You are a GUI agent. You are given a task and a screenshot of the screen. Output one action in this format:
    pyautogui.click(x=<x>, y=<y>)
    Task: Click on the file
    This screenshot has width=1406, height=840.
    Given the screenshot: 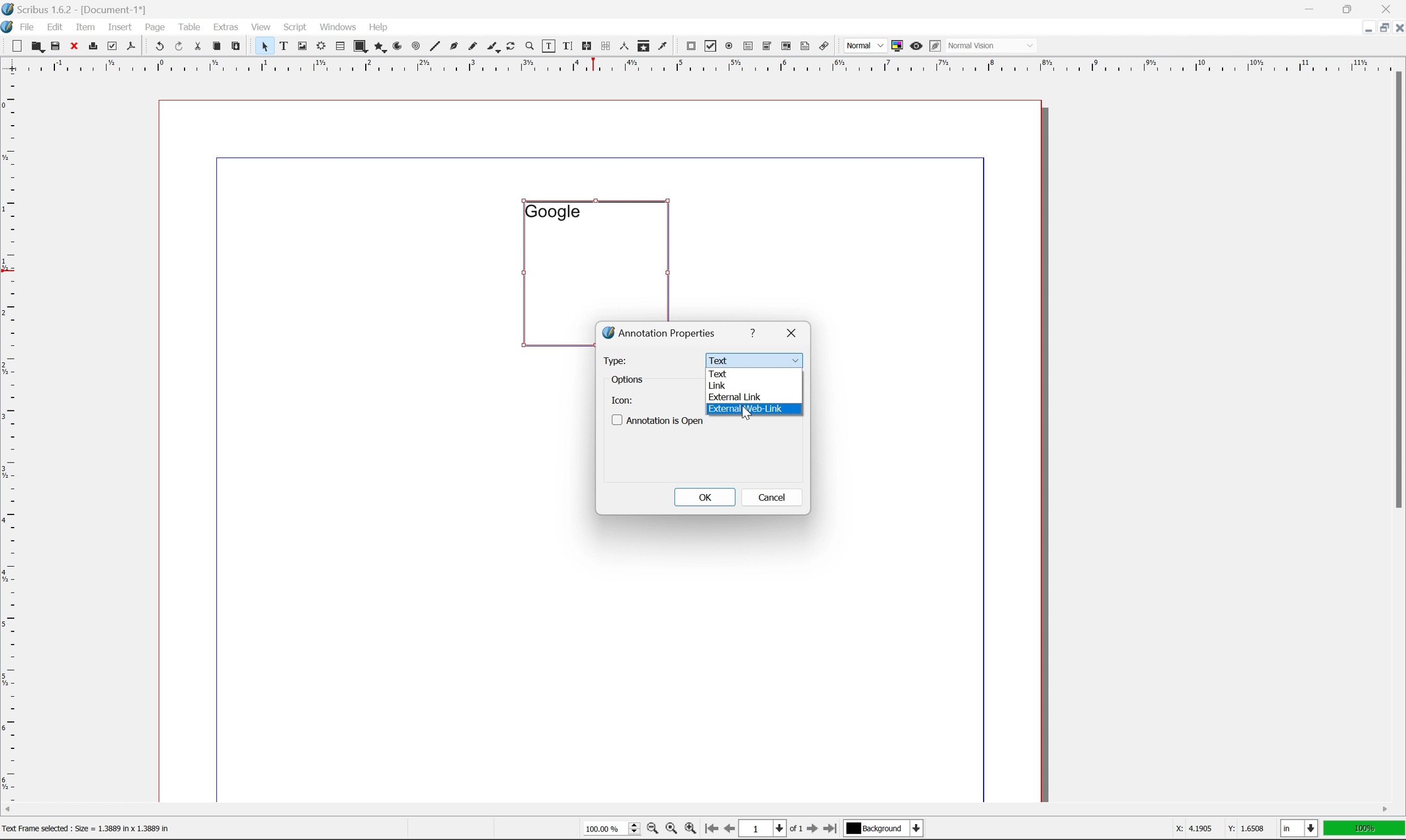 What is the action you would take?
    pyautogui.click(x=28, y=27)
    